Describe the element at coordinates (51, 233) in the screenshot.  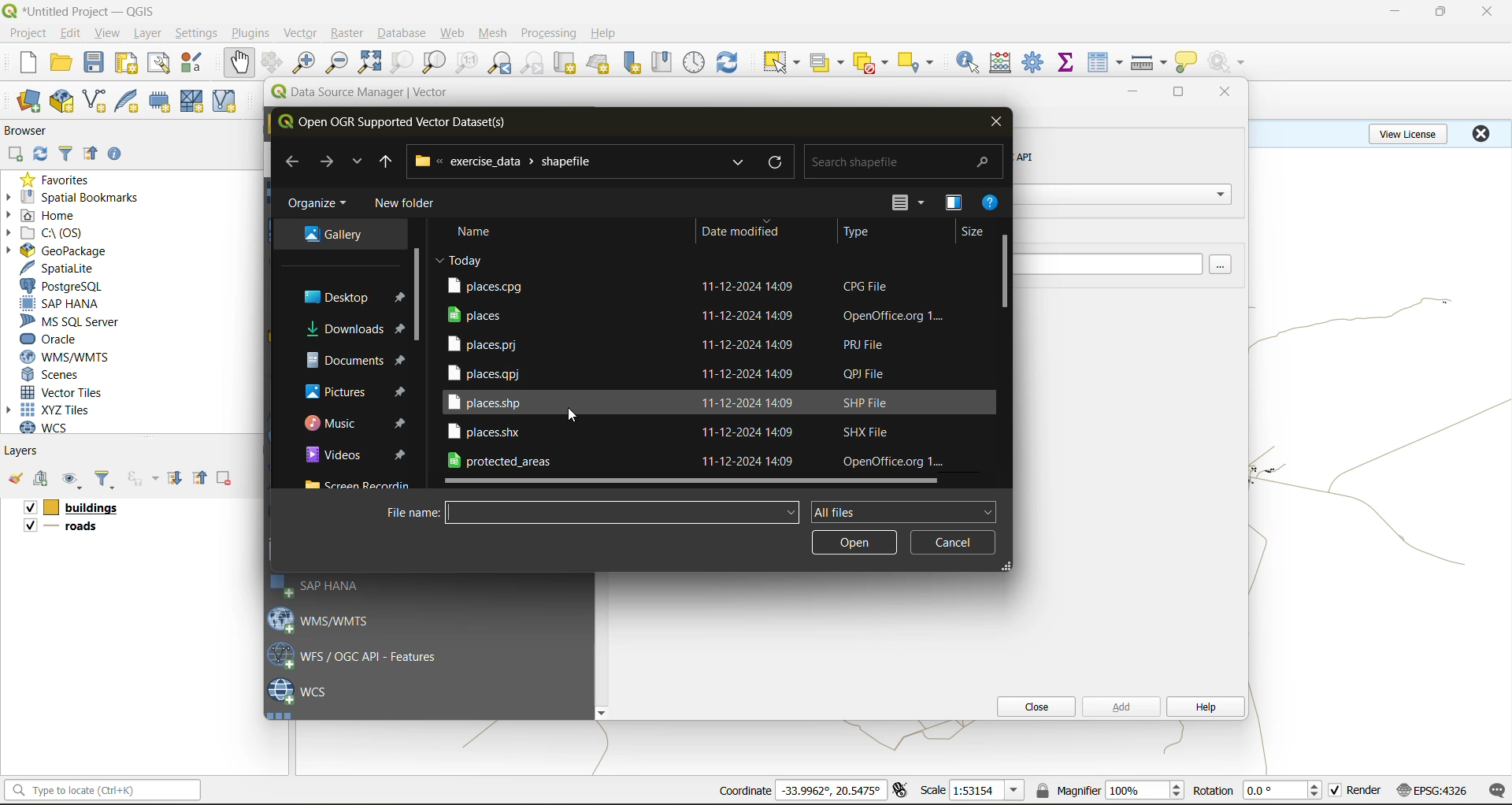
I see `c\:os` at that location.